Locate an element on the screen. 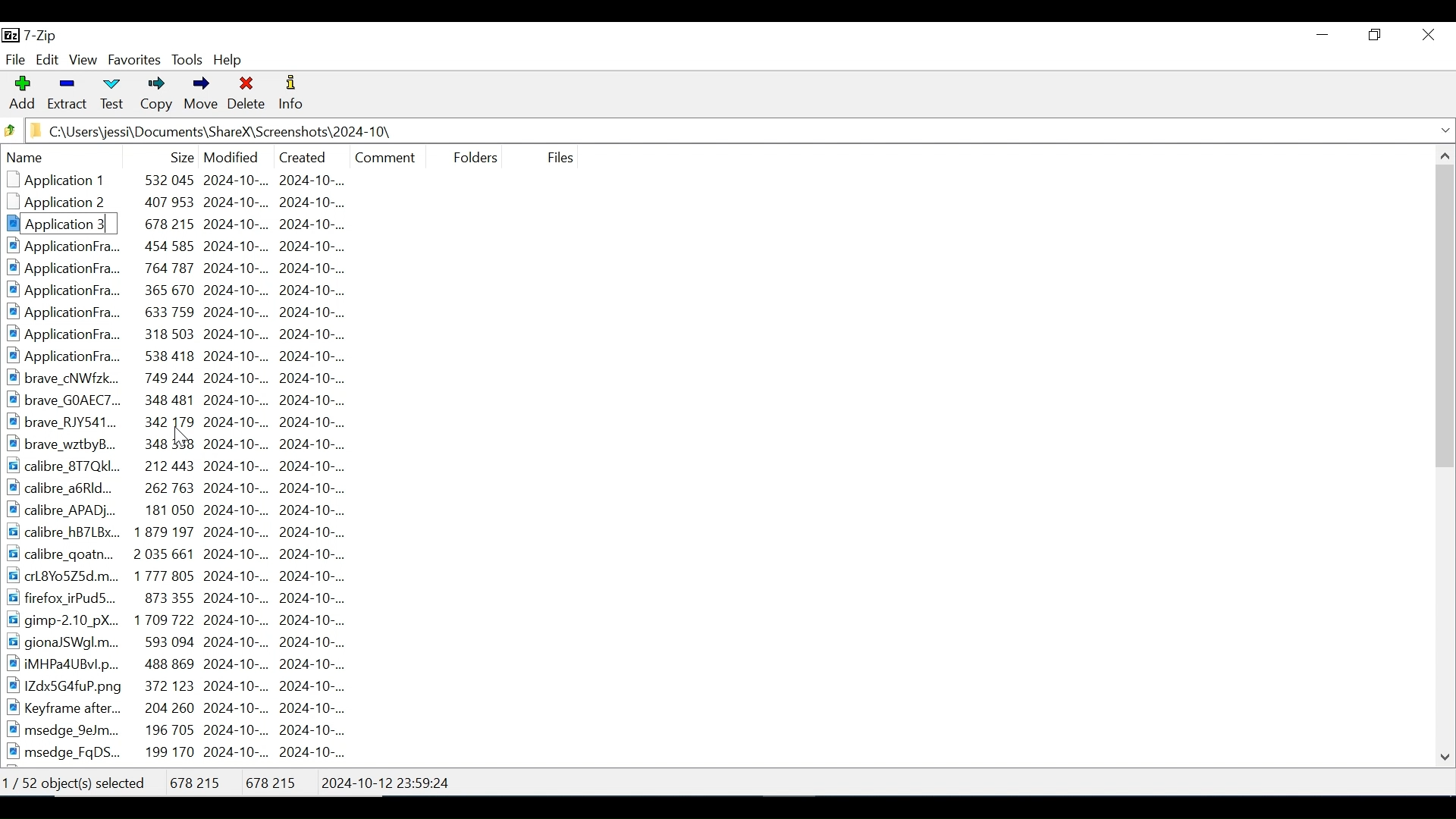  Size is located at coordinates (178, 155).